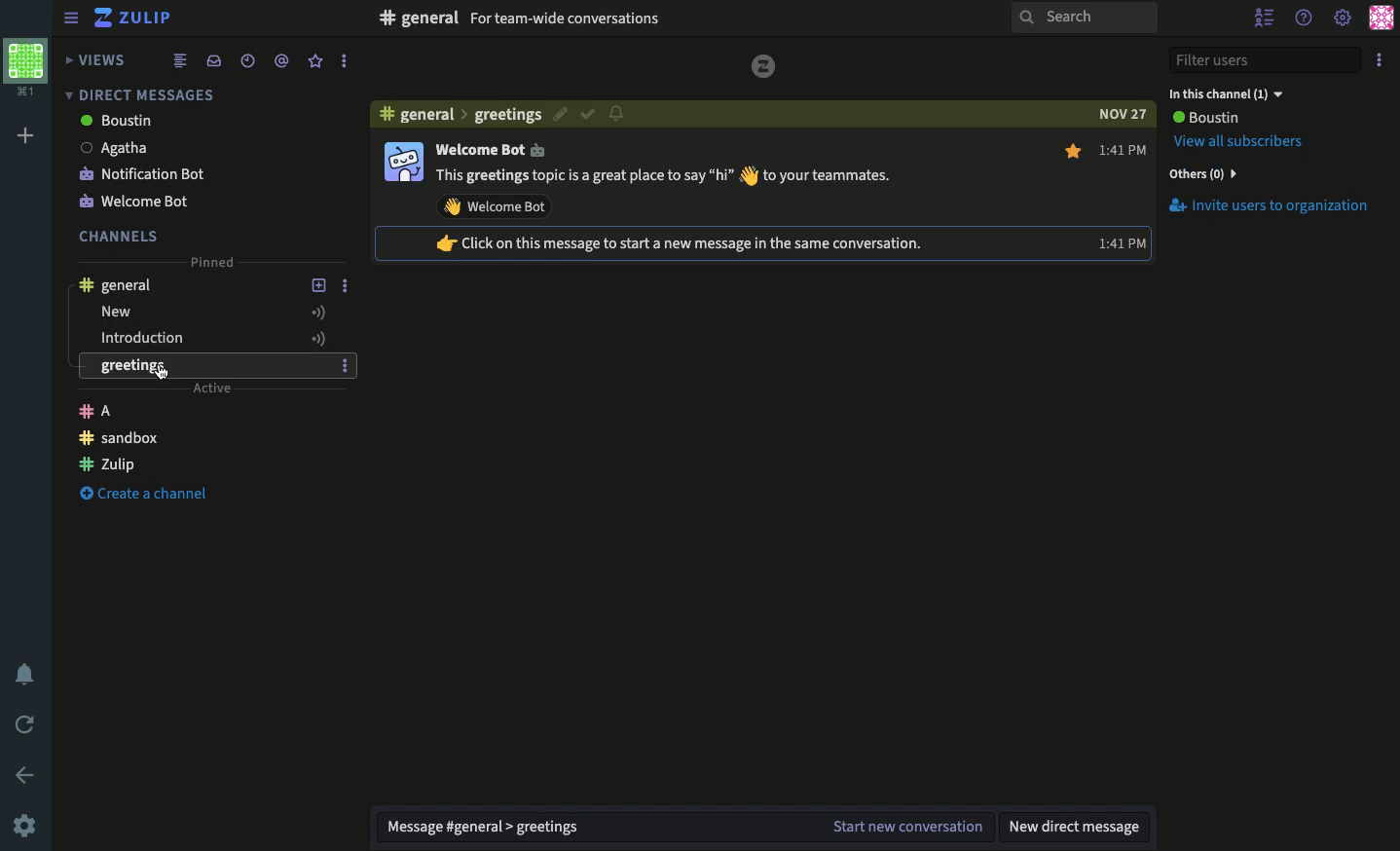 This screenshot has width=1400, height=851. I want to click on Resolved, so click(587, 113).